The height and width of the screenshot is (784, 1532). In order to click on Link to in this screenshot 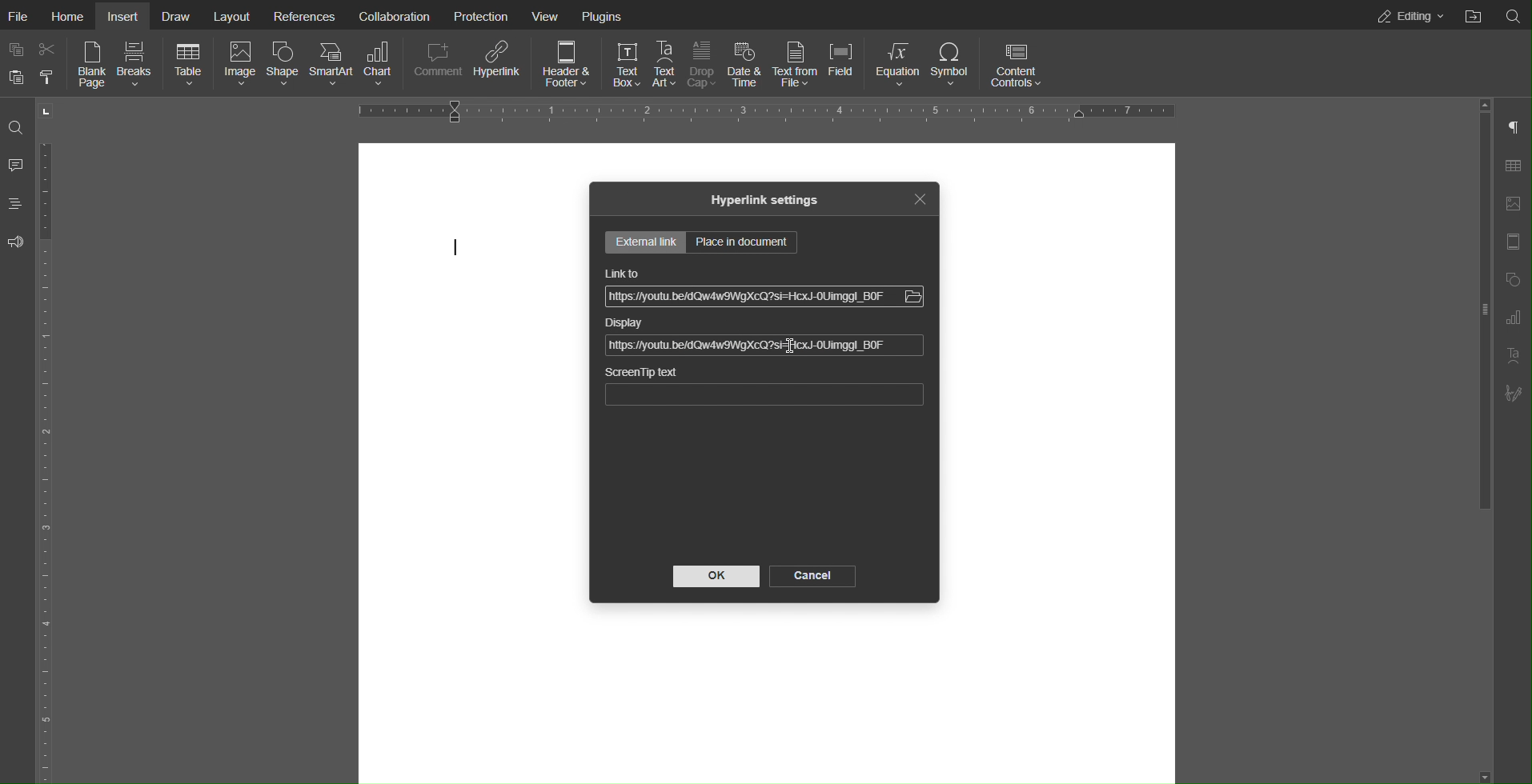, I will do `click(621, 272)`.